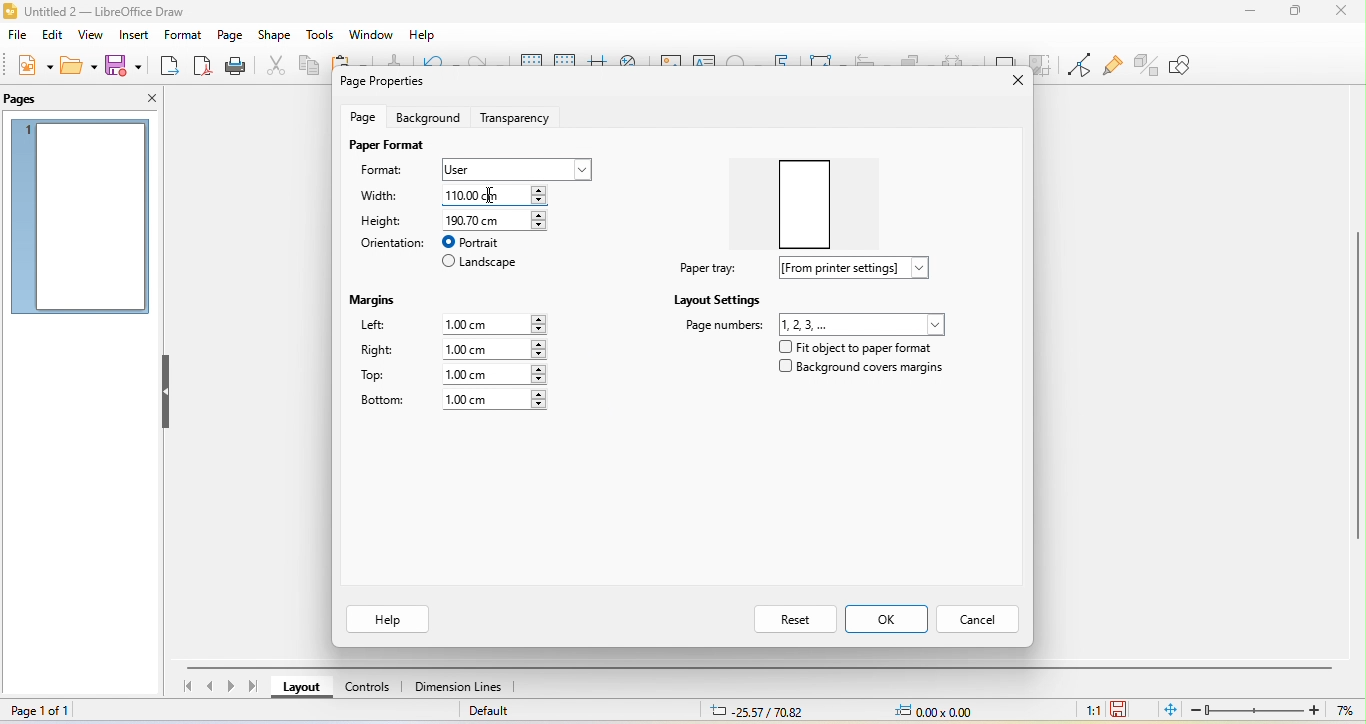  Describe the element at coordinates (257, 686) in the screenshot. I see `last page` at that location.